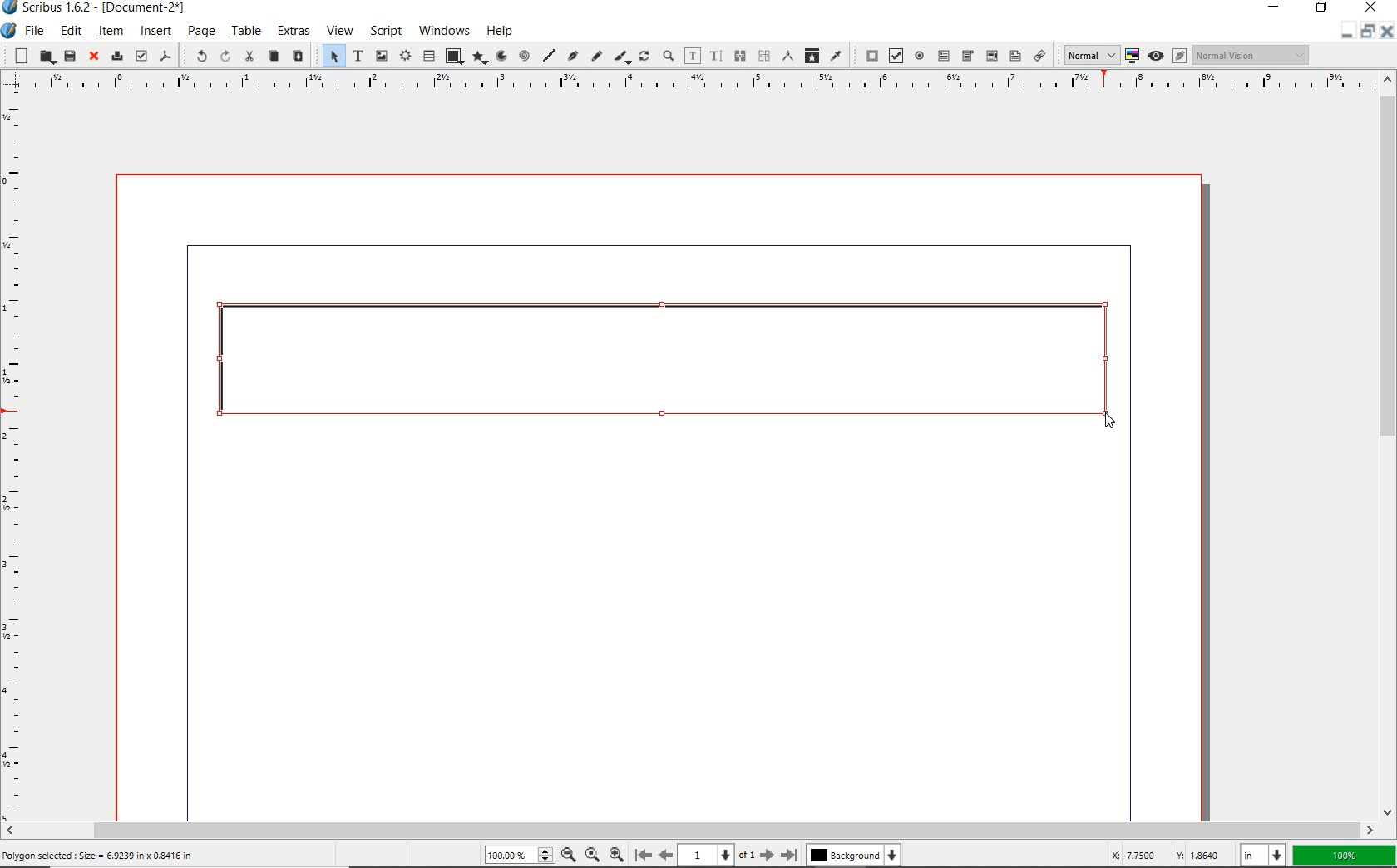 Image resolution: width=1397 pixels, height=868 pixels. What do you see at coordinates (141, 56) in the screenshot?
I see `preflight verifier` at bounding box center [141, 56].